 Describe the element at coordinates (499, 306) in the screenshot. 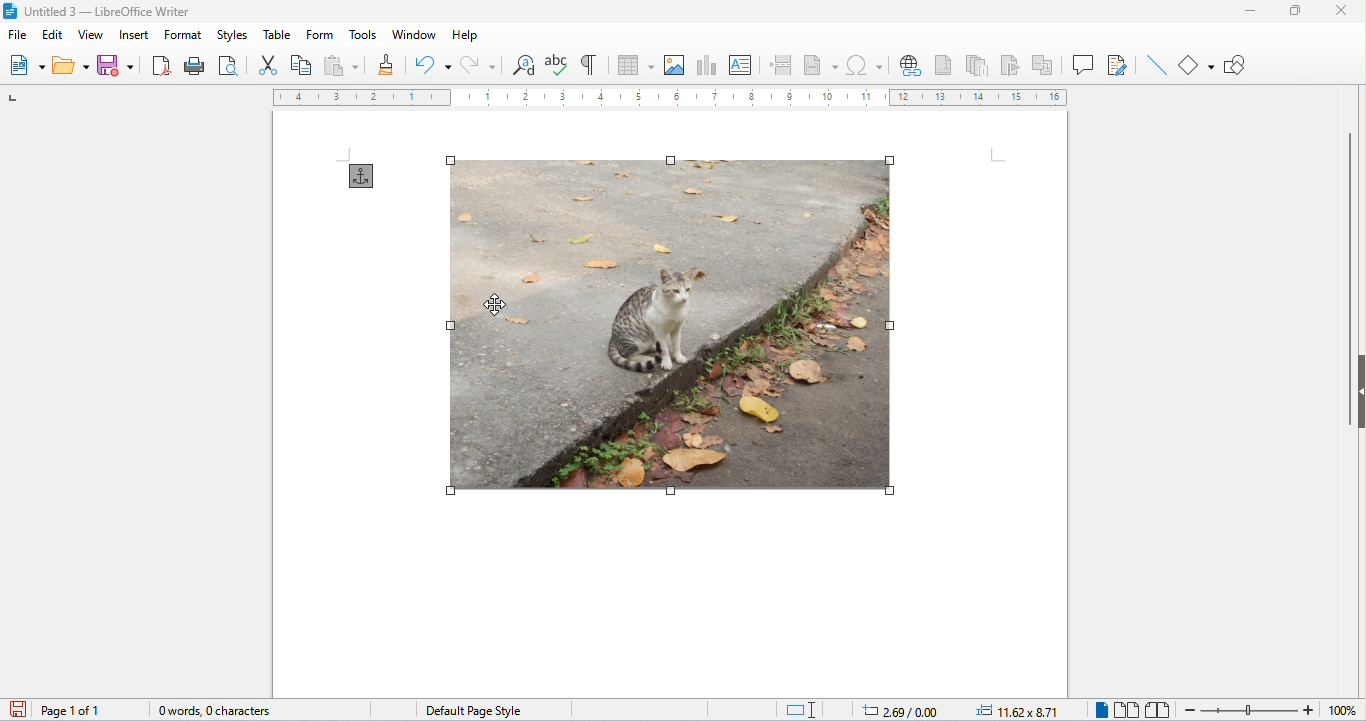

I see `cursor` at that location.